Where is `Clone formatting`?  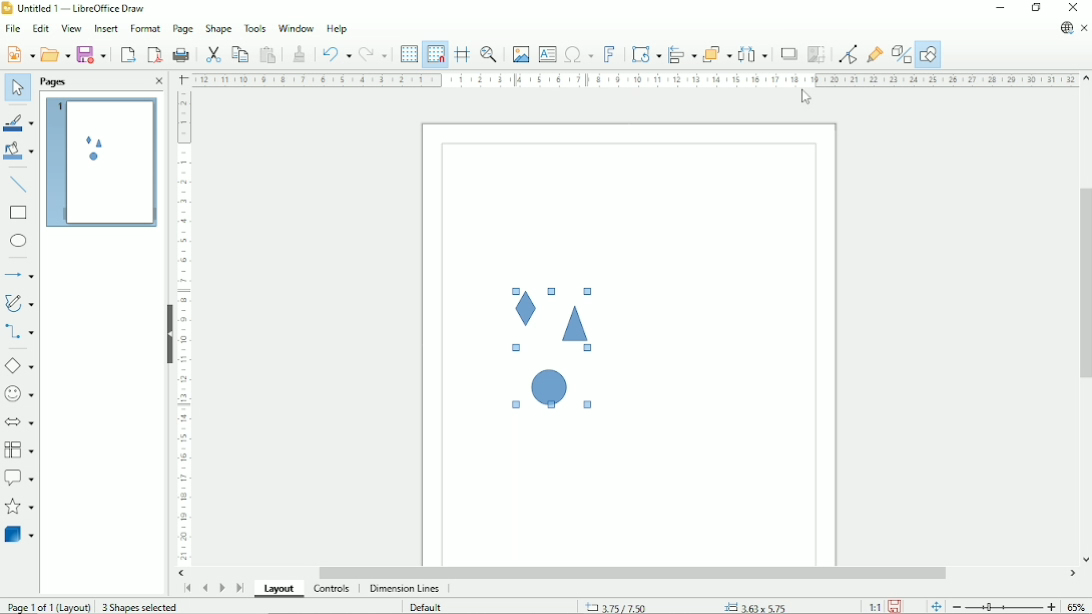
Clone formatting is located at coordinates (300, 53).